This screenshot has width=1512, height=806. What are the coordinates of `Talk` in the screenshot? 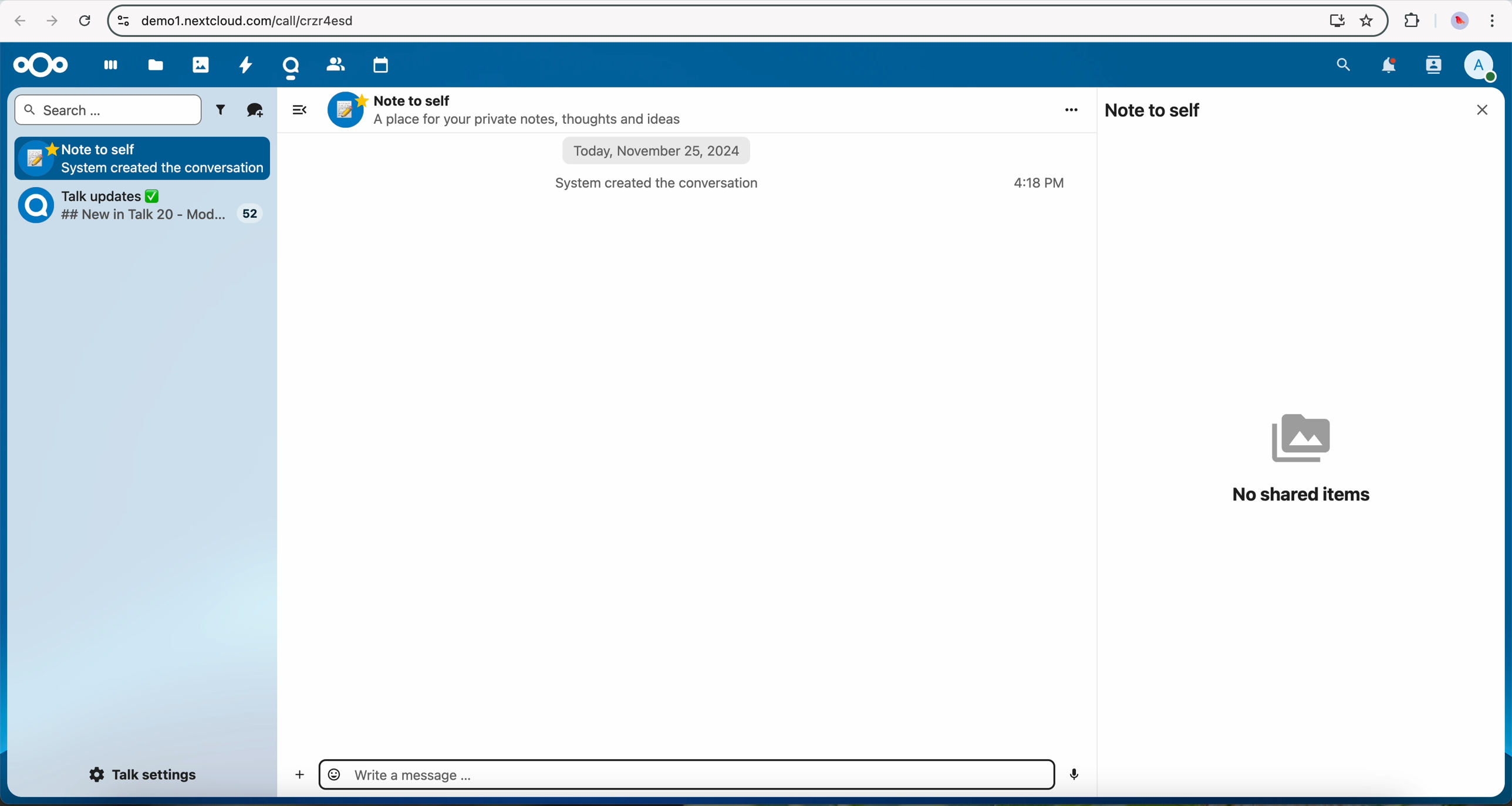 It's located at (290, 67).